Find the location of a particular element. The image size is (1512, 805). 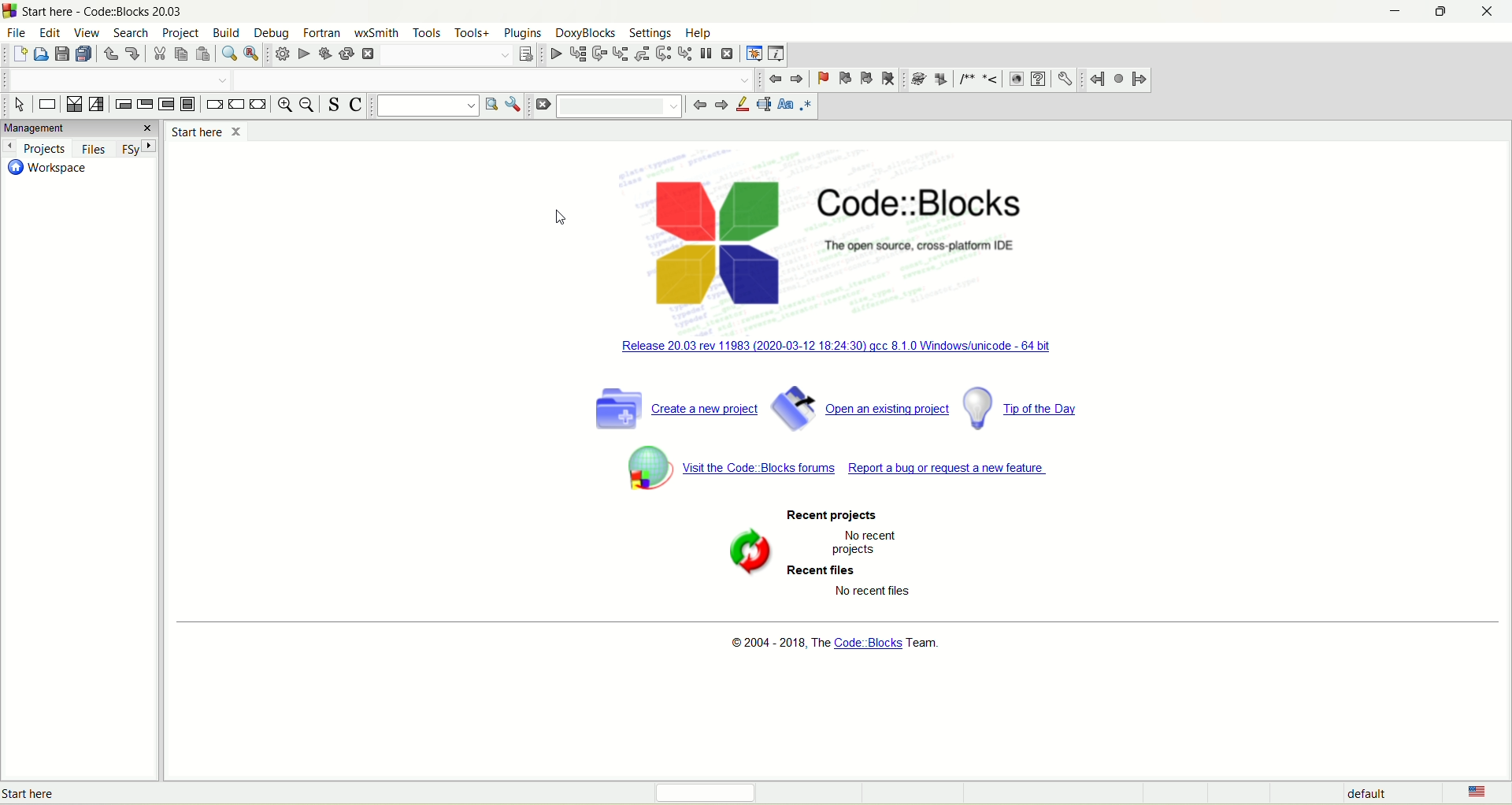

toggle bookmark is located at coordinates (821, 78).